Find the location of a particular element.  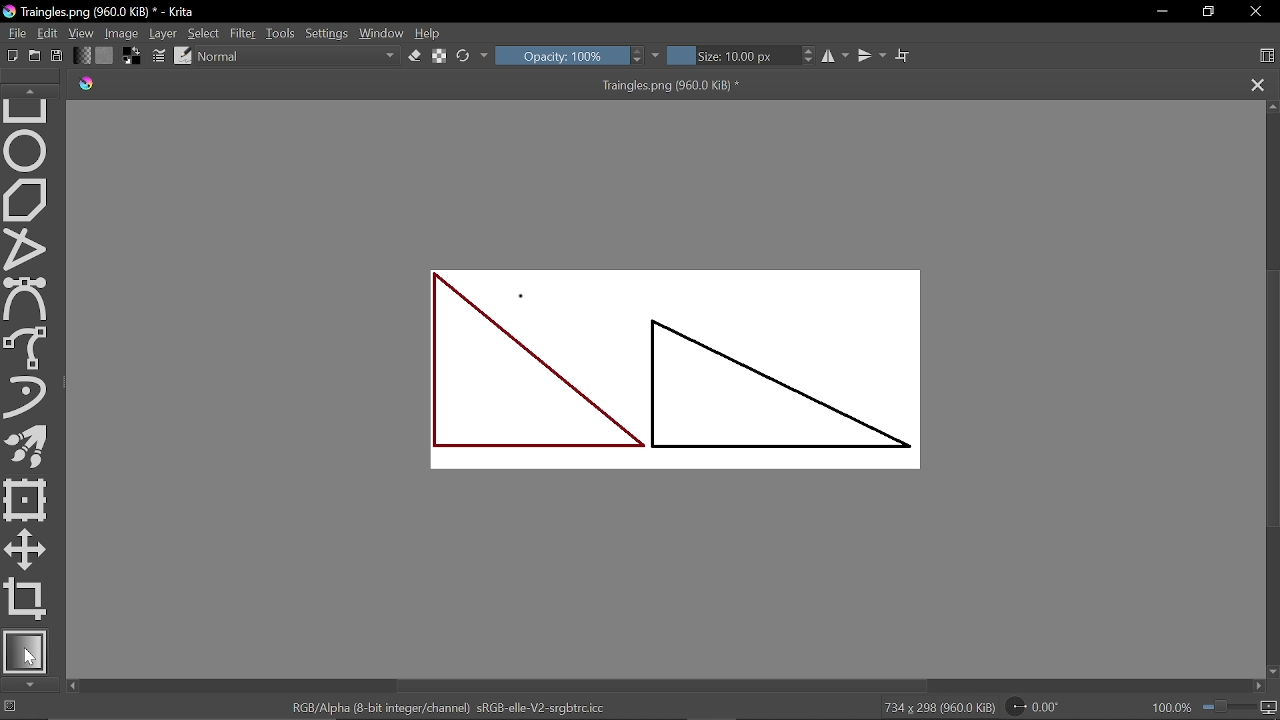

100.0% is located at coordinates (1215, 707).